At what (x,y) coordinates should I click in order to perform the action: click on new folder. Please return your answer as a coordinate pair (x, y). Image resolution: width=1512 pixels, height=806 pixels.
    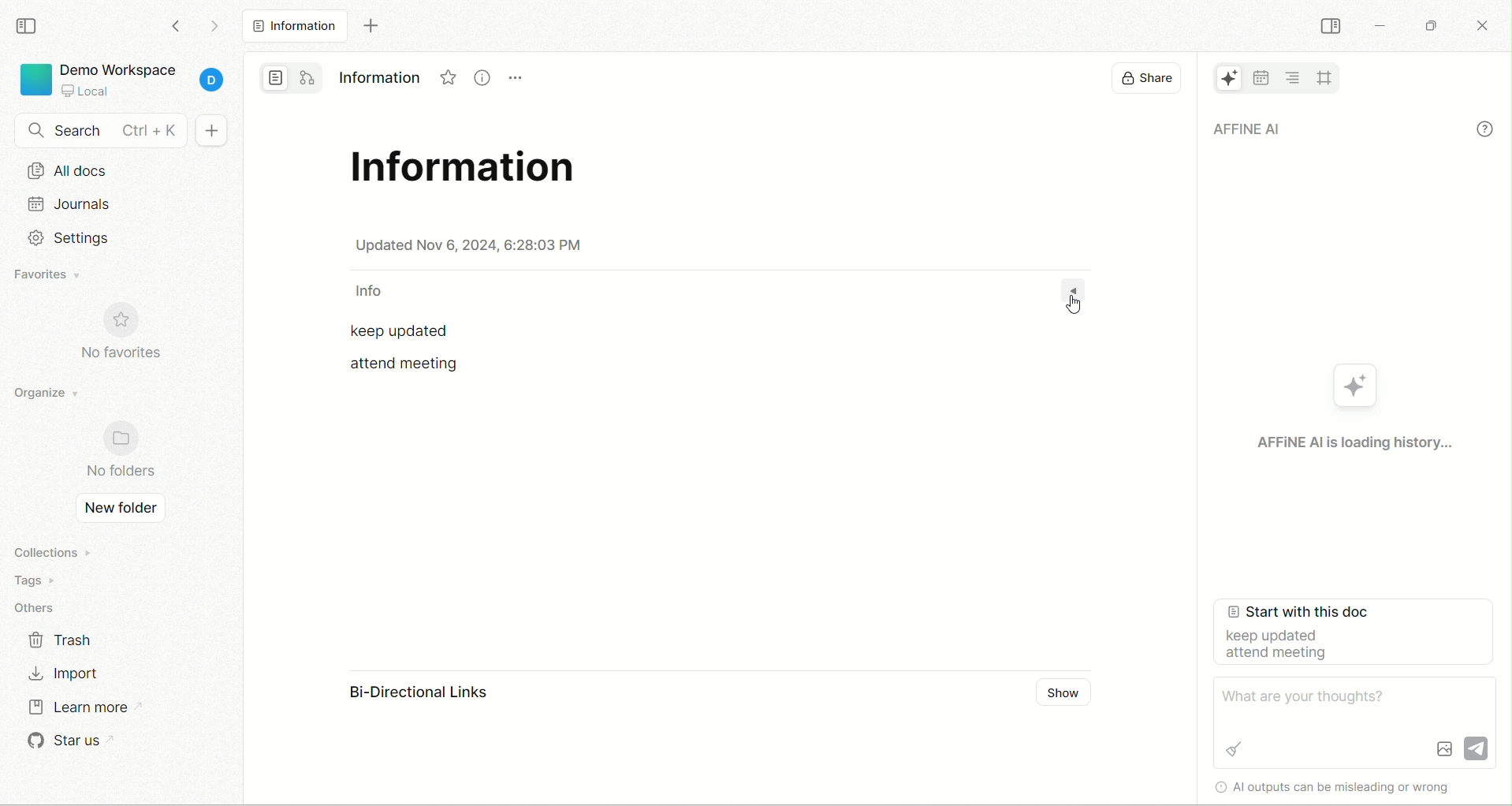
    Looking at the image, I should click on (121, 510).